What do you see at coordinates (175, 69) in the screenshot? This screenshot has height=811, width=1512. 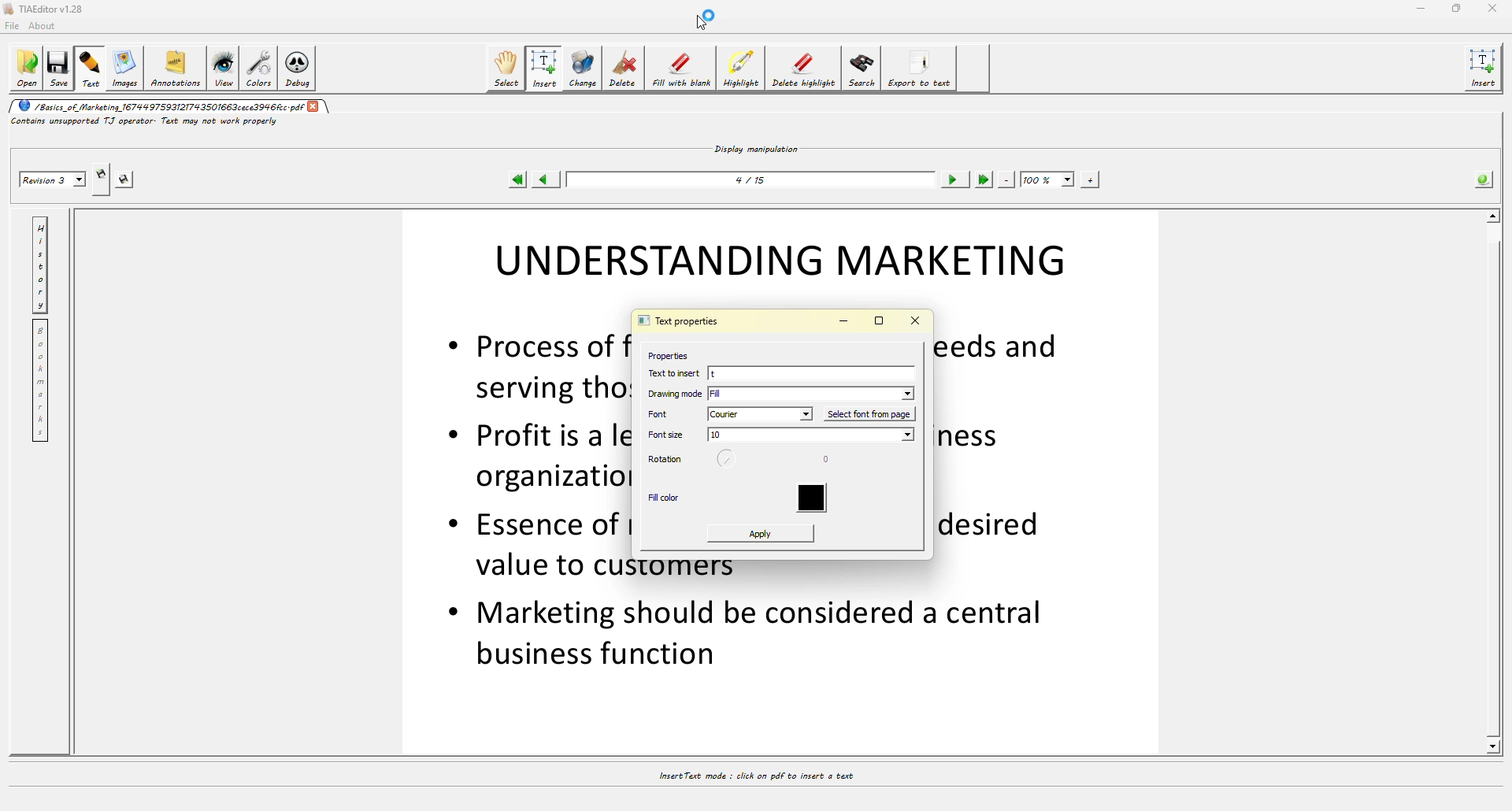 I see `annotations` at bounding box center [175, 69].